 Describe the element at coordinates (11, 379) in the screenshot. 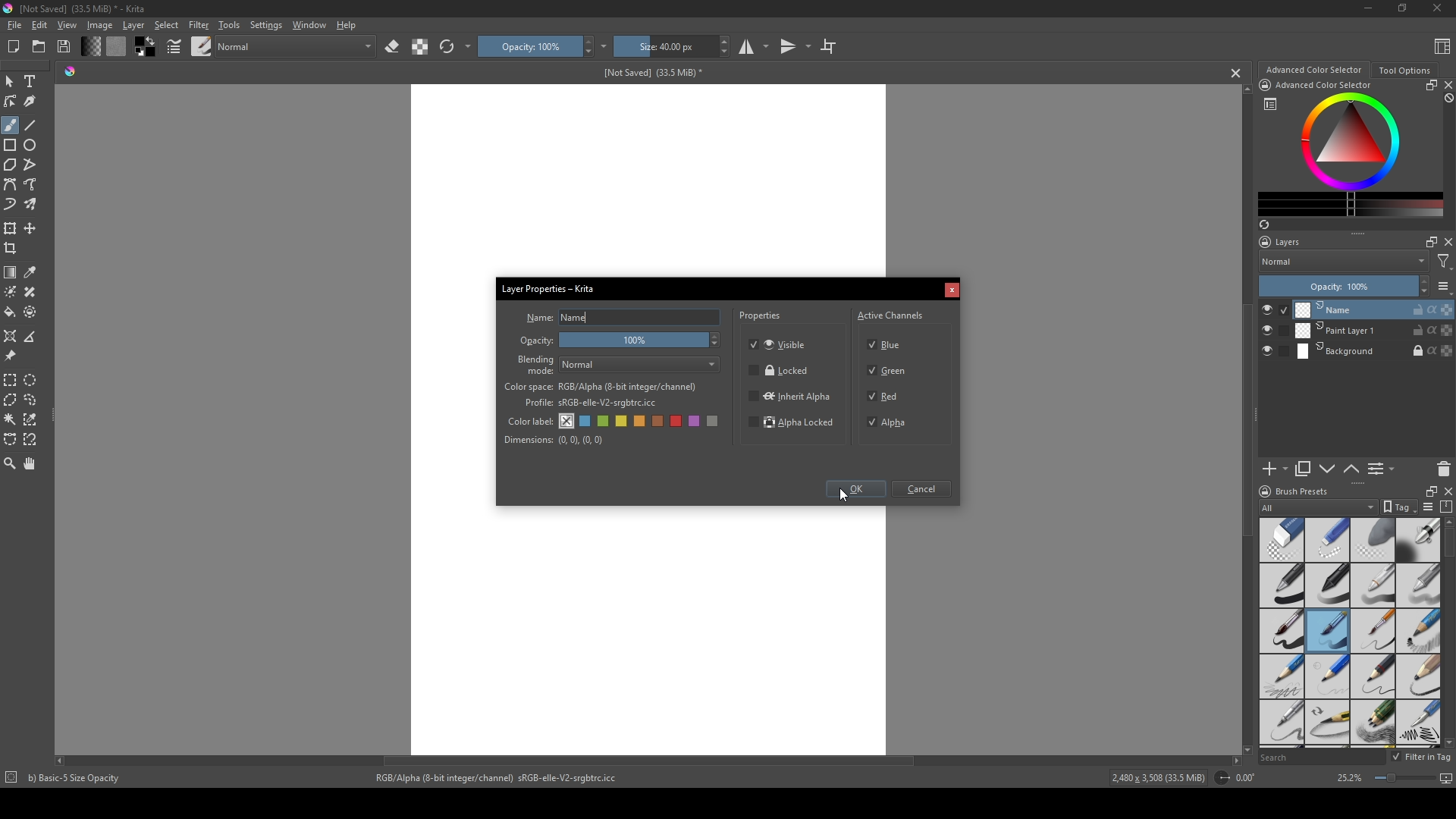

I see `rectangular` at that location.